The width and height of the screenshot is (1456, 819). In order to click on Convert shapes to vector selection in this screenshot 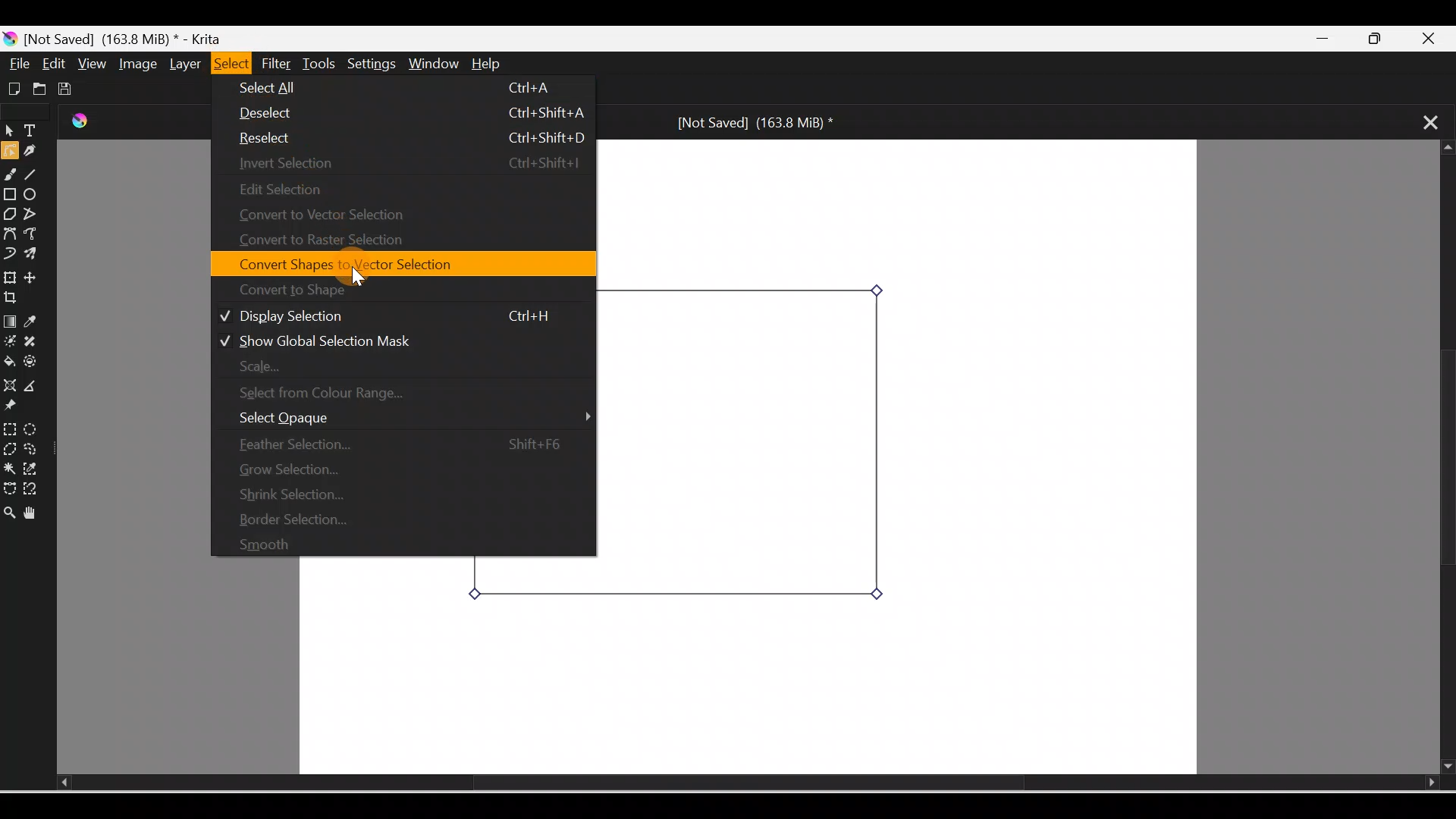, I will do `click(395, 265)`.